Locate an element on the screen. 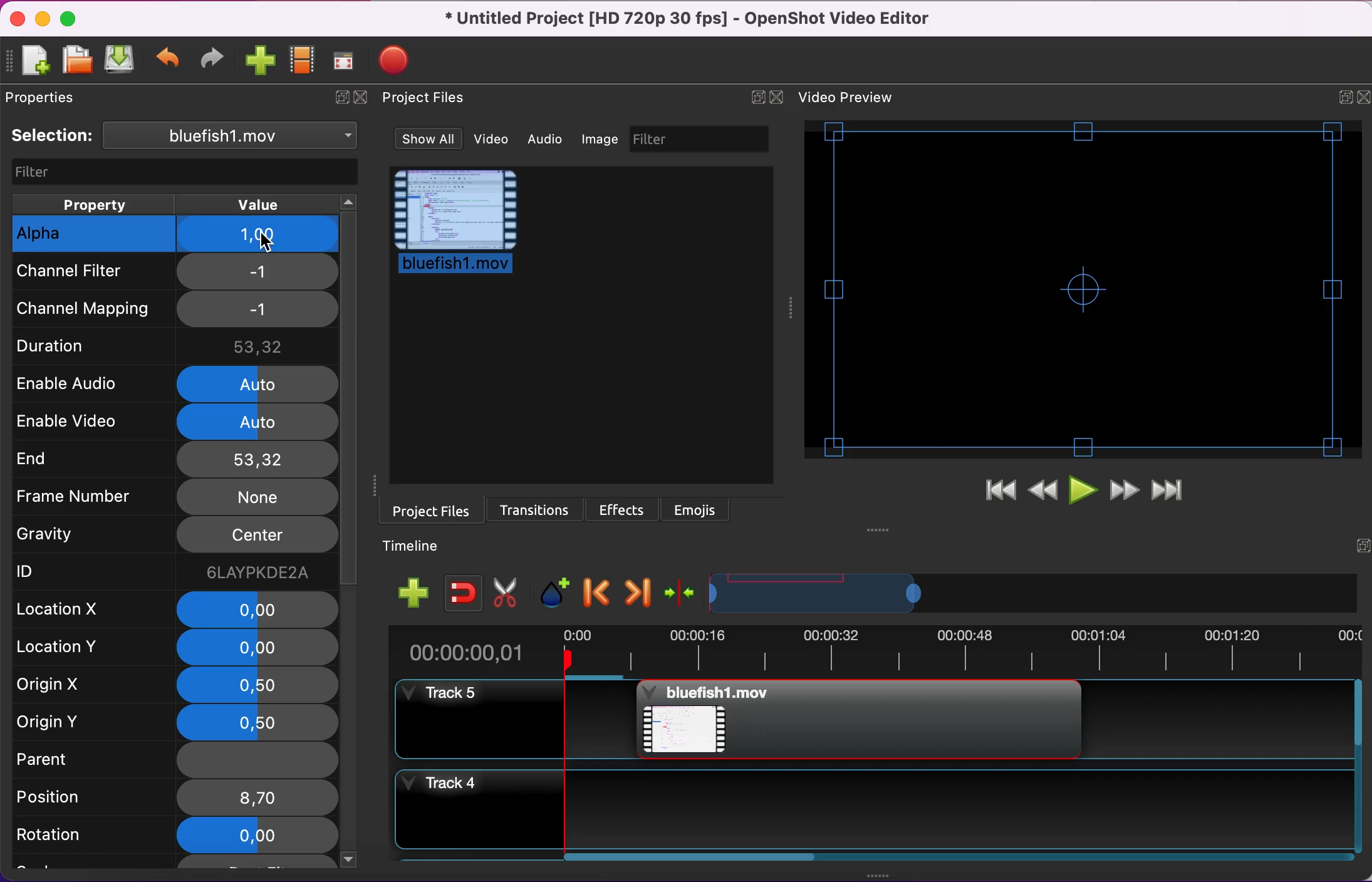 Image resolution: width=1372 pixels, height=882 pixels. center is located at coordinates (255, 536).